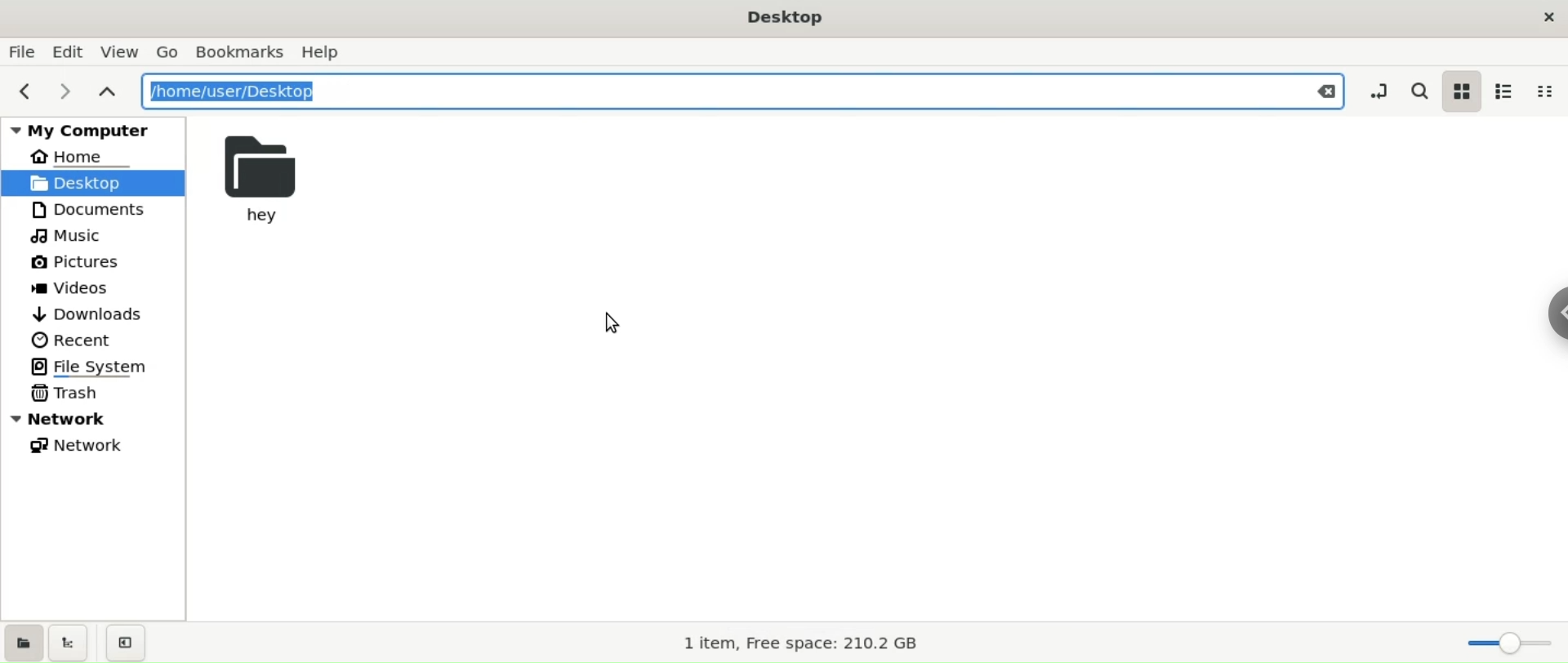 The width and height of the screenshot is (1568, 663). Describe the element at coordinates (1463, 93) in the screenshot. I see `icon view` at that location.